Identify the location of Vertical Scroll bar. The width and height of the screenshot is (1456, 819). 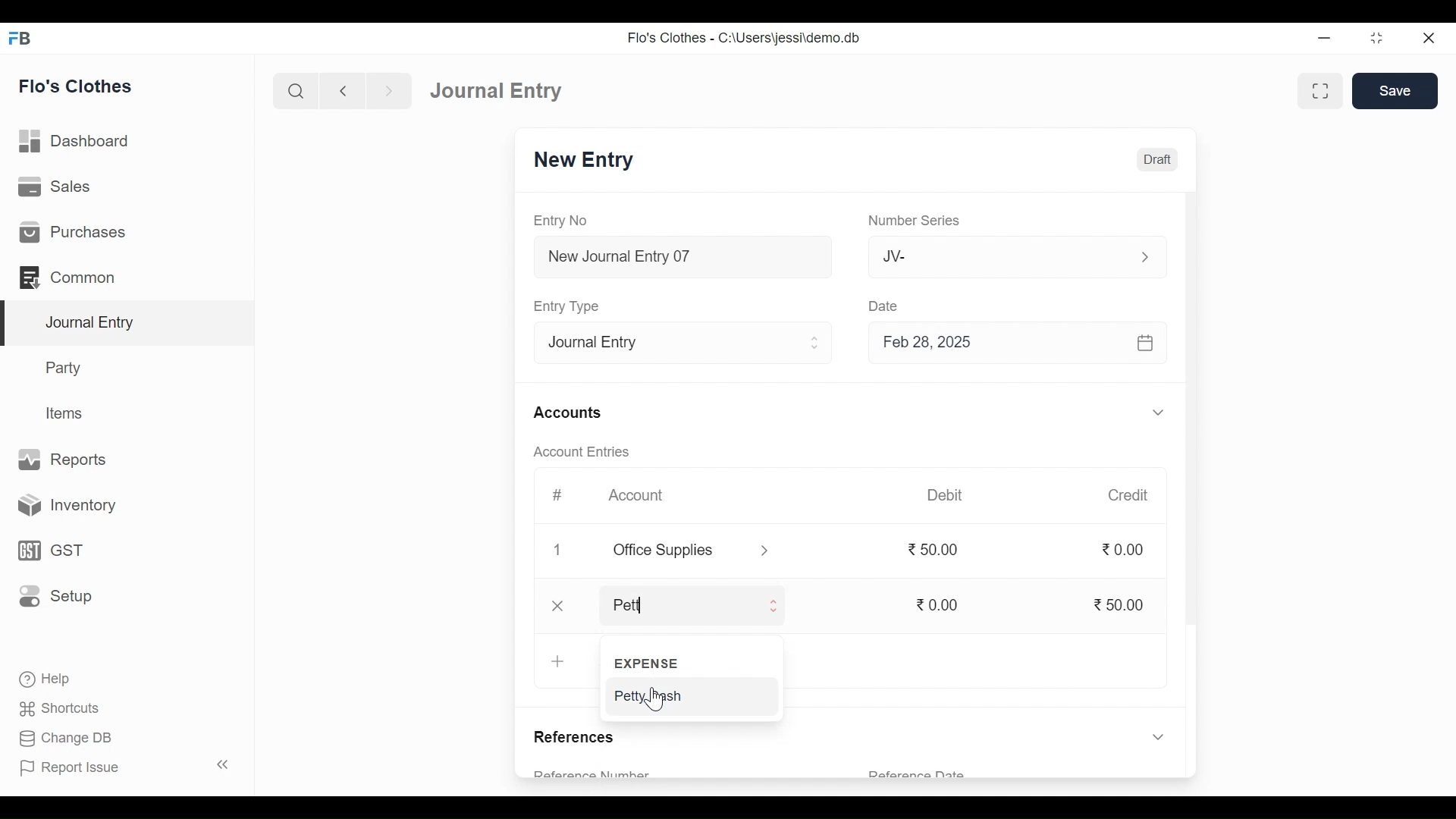
(1193, 428).